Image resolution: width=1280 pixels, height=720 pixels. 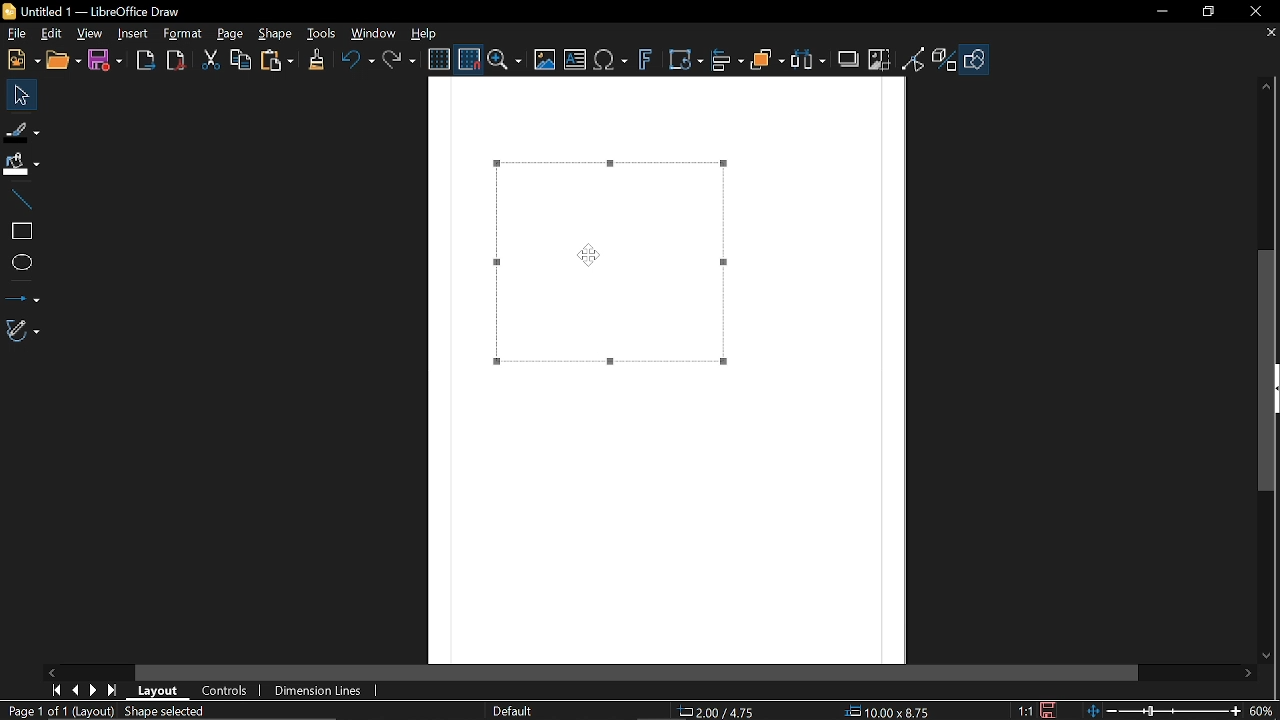 I want to click on First page, so click(x=57, y=690).